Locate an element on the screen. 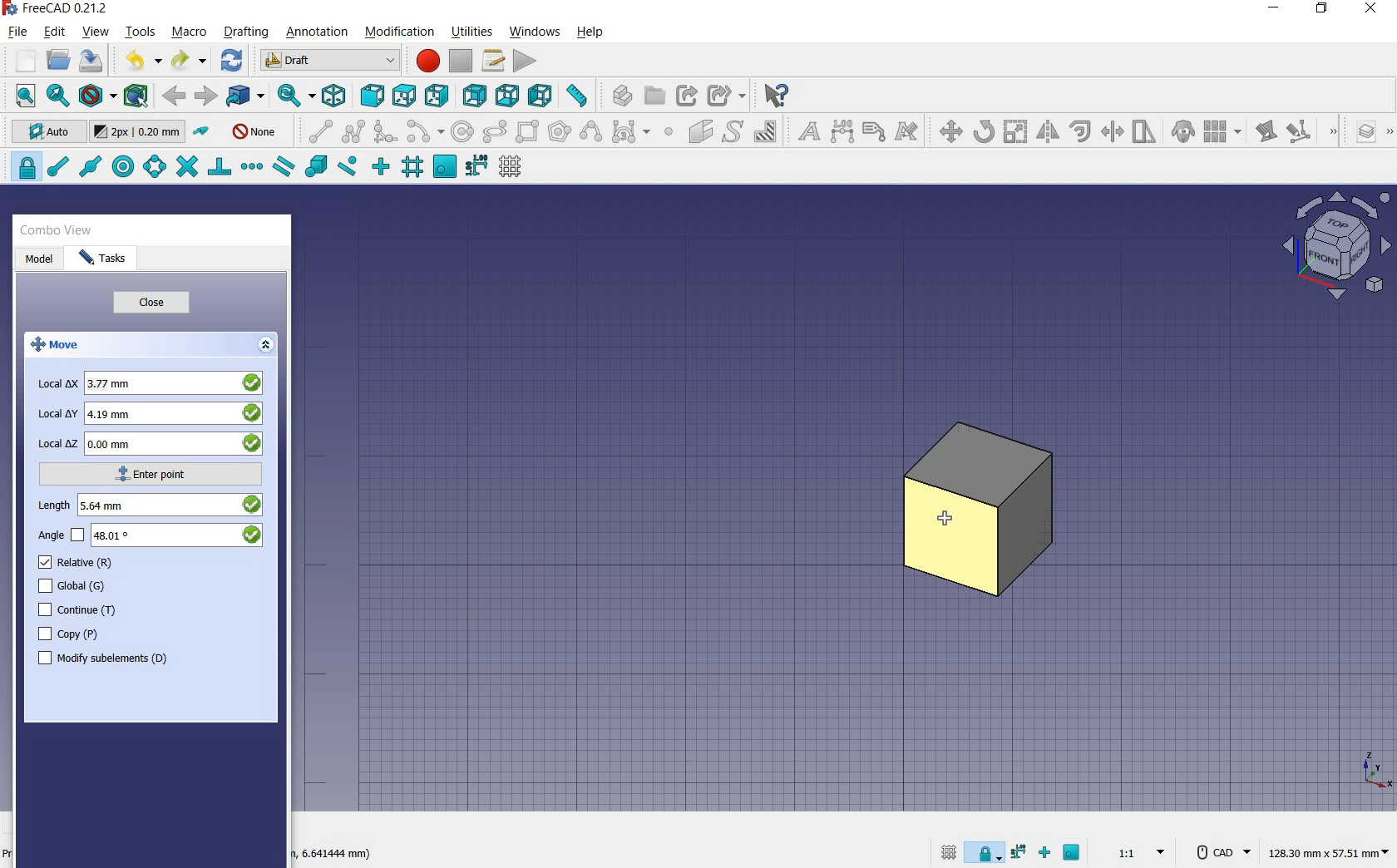  length is located at coordinates (151, 506).